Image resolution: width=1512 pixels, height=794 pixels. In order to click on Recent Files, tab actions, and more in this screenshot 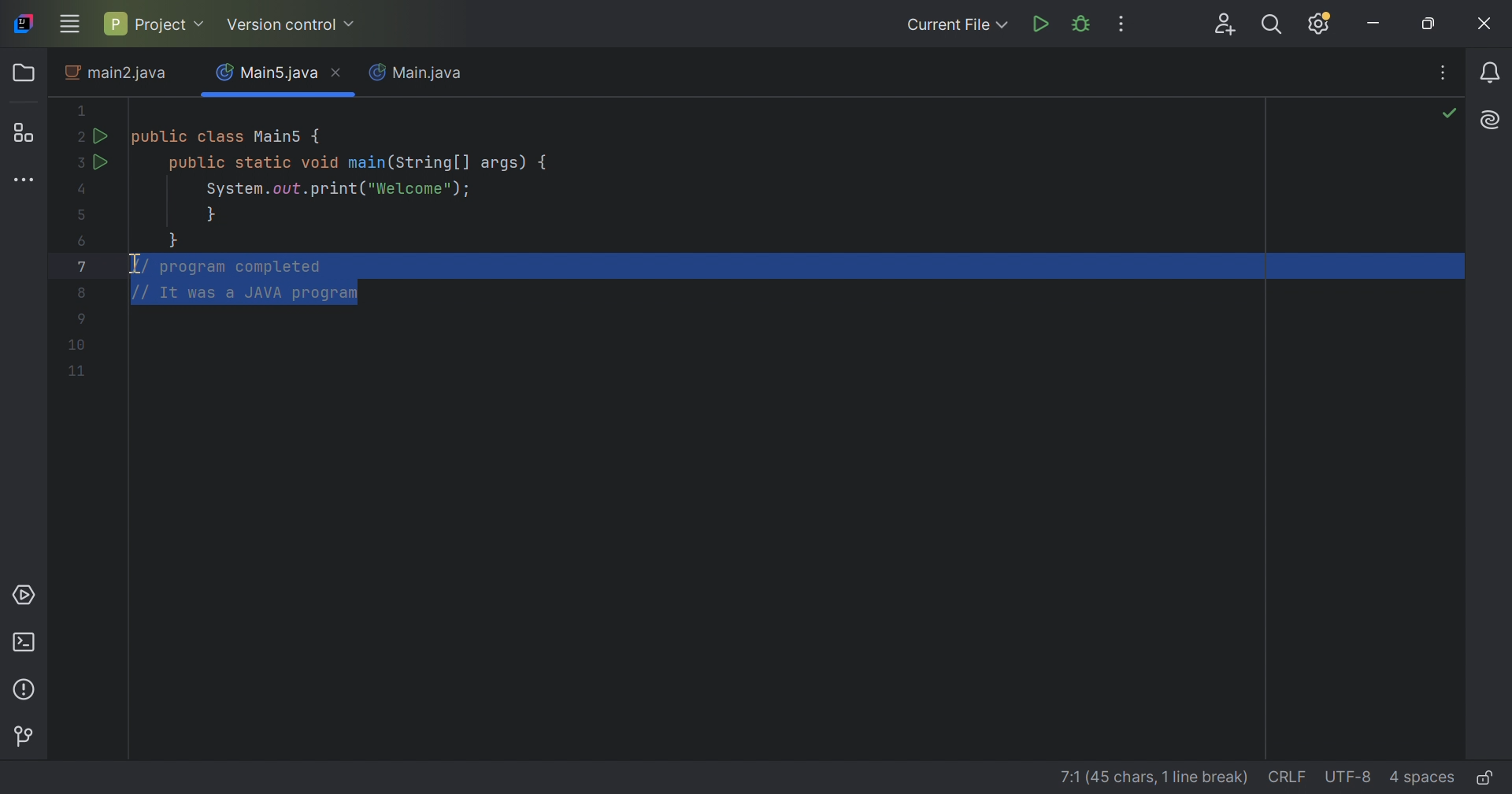, I will do `click(1445, 72)`.